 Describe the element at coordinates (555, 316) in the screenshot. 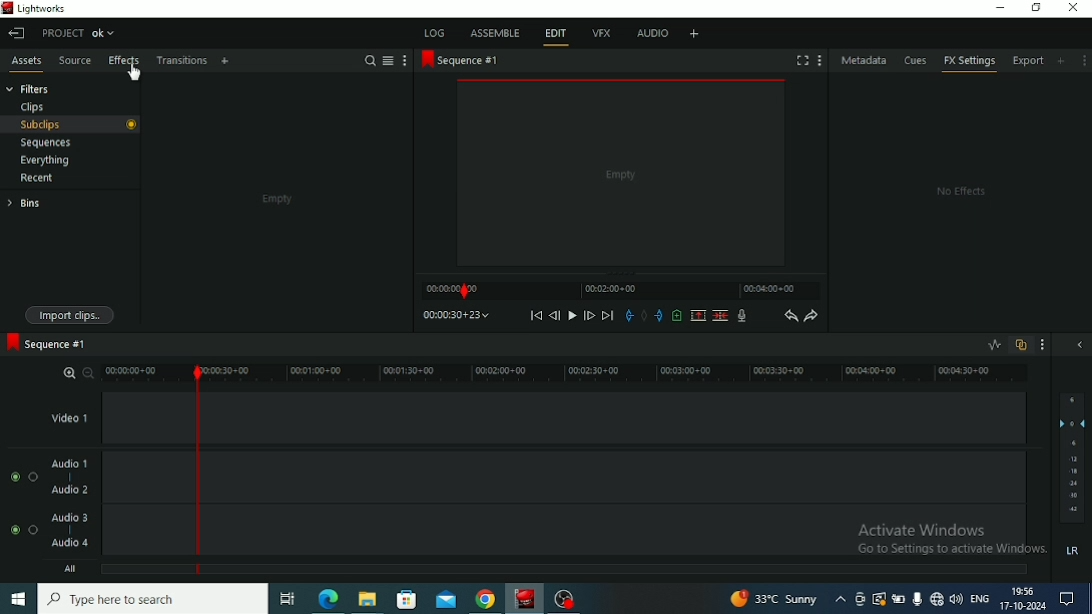

I see `Nudge one frame back` at that location.